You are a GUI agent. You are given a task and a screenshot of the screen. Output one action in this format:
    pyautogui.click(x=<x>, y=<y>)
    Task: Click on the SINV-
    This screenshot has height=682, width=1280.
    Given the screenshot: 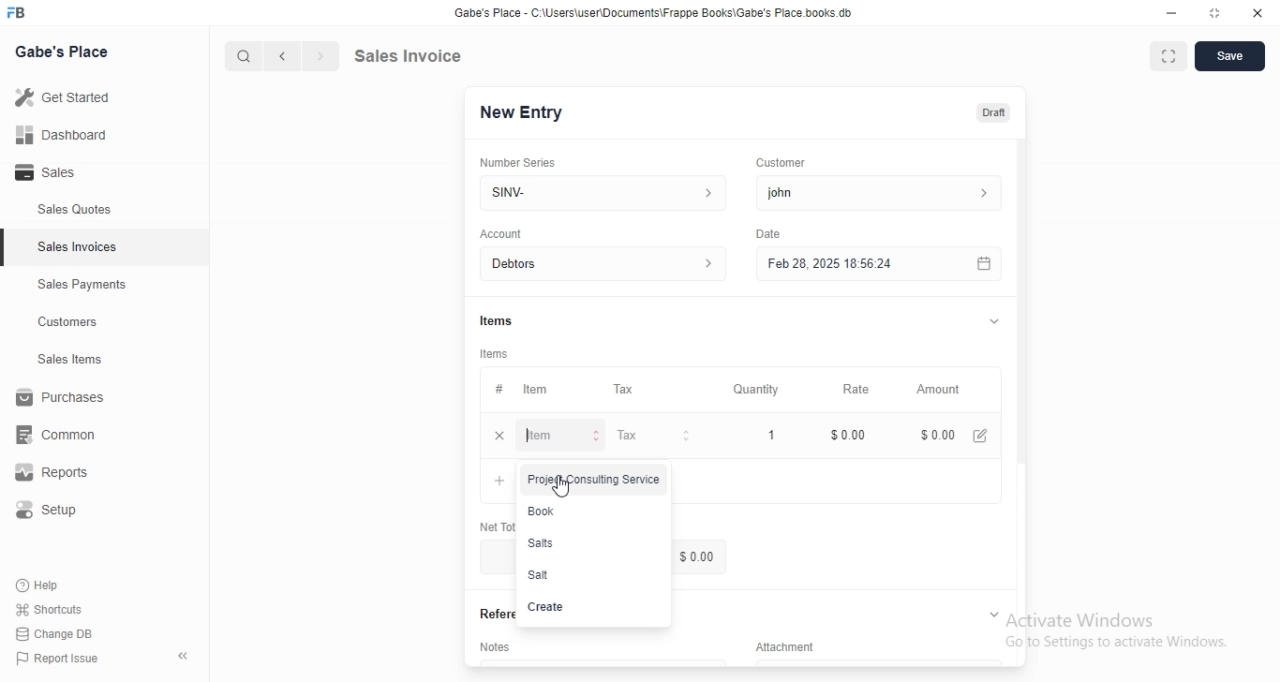 What is the action you would take?
    pyautogui.click(x=602, y=191)
    